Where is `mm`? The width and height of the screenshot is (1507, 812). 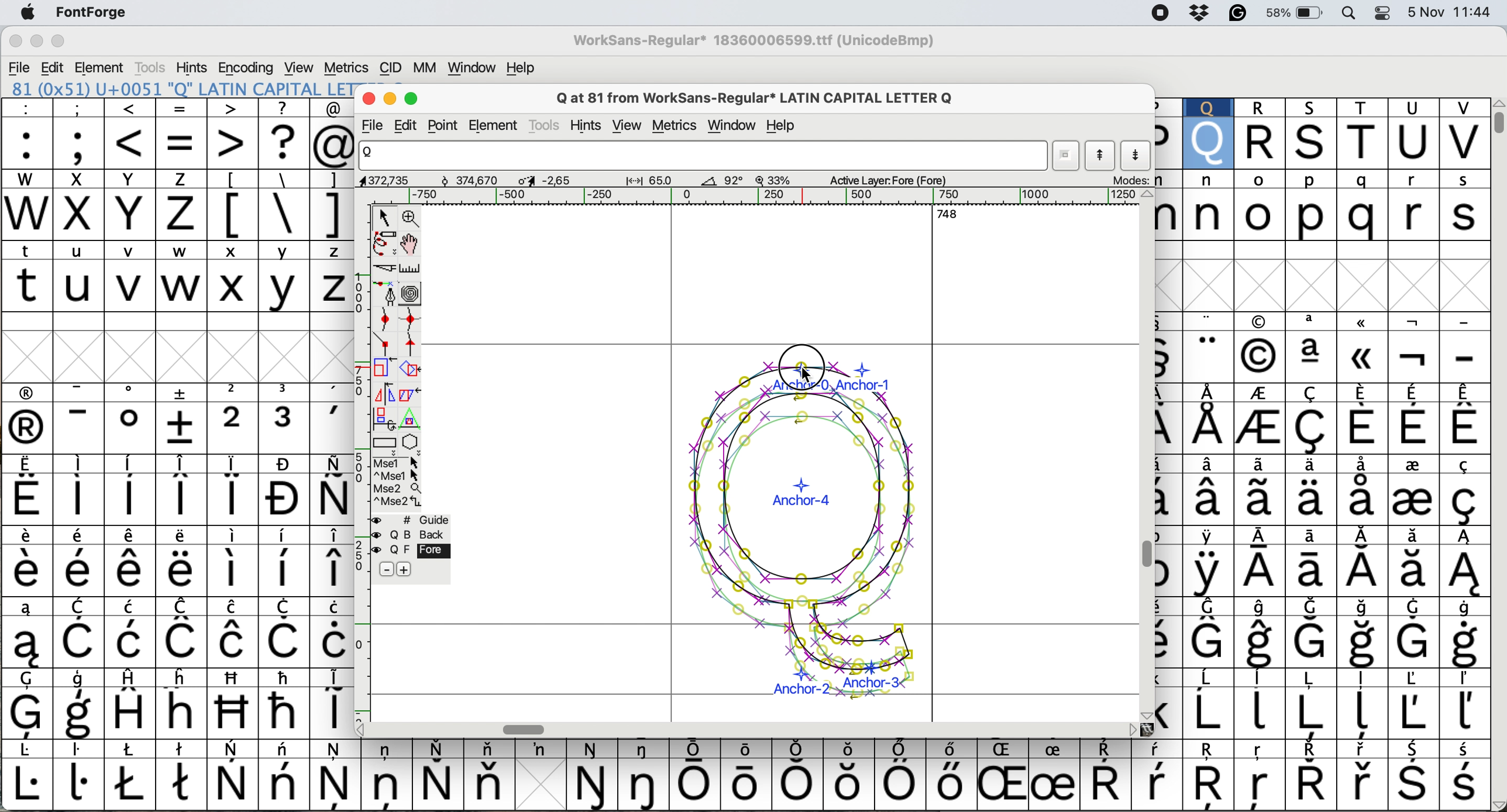 mm is located at coordinates (422, 68).